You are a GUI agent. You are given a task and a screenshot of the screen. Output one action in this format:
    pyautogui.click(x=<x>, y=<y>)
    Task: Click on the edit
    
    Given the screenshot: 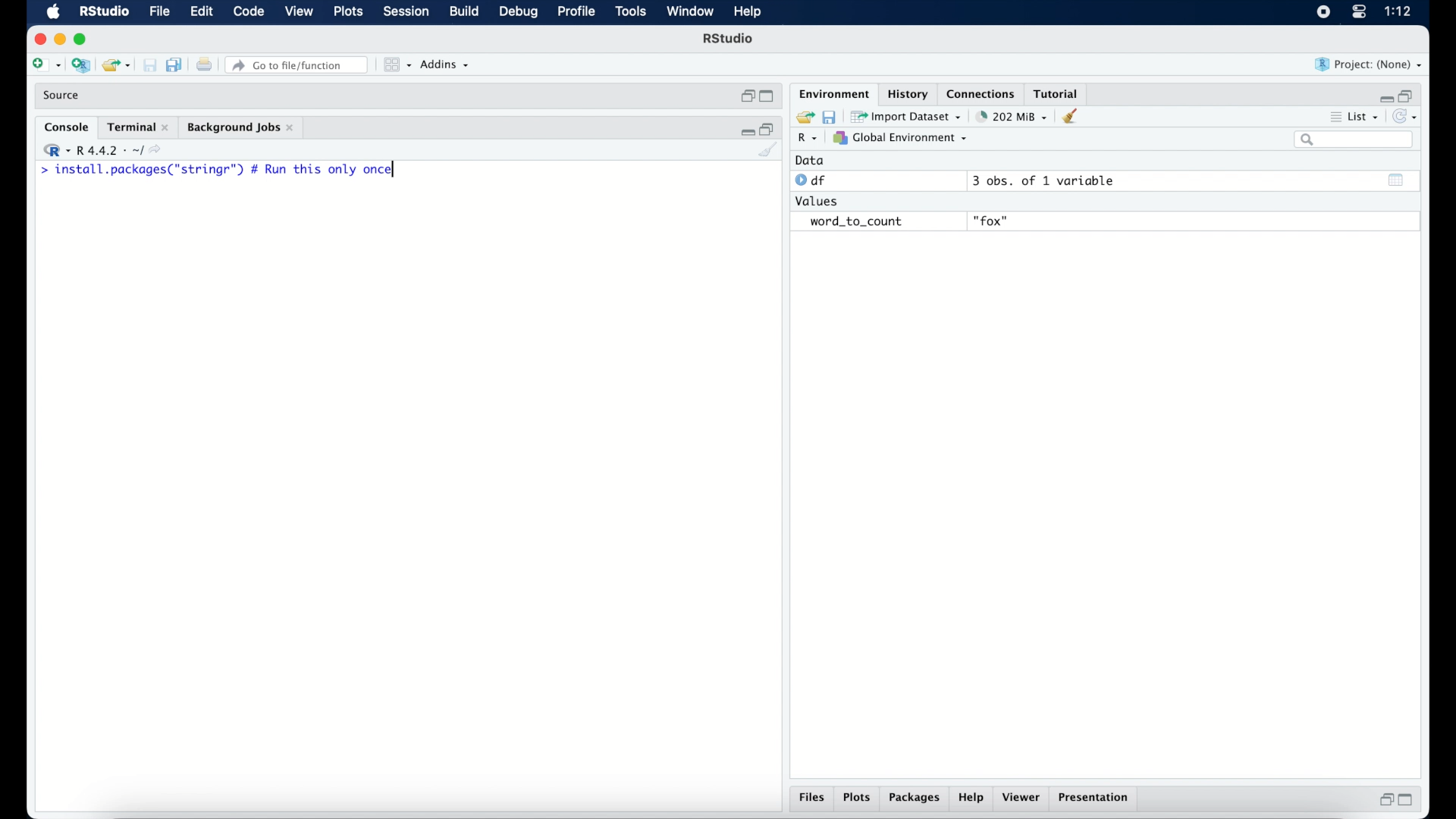 What is the action you would take?
    pyautogui.click(x=201, y=12)
    